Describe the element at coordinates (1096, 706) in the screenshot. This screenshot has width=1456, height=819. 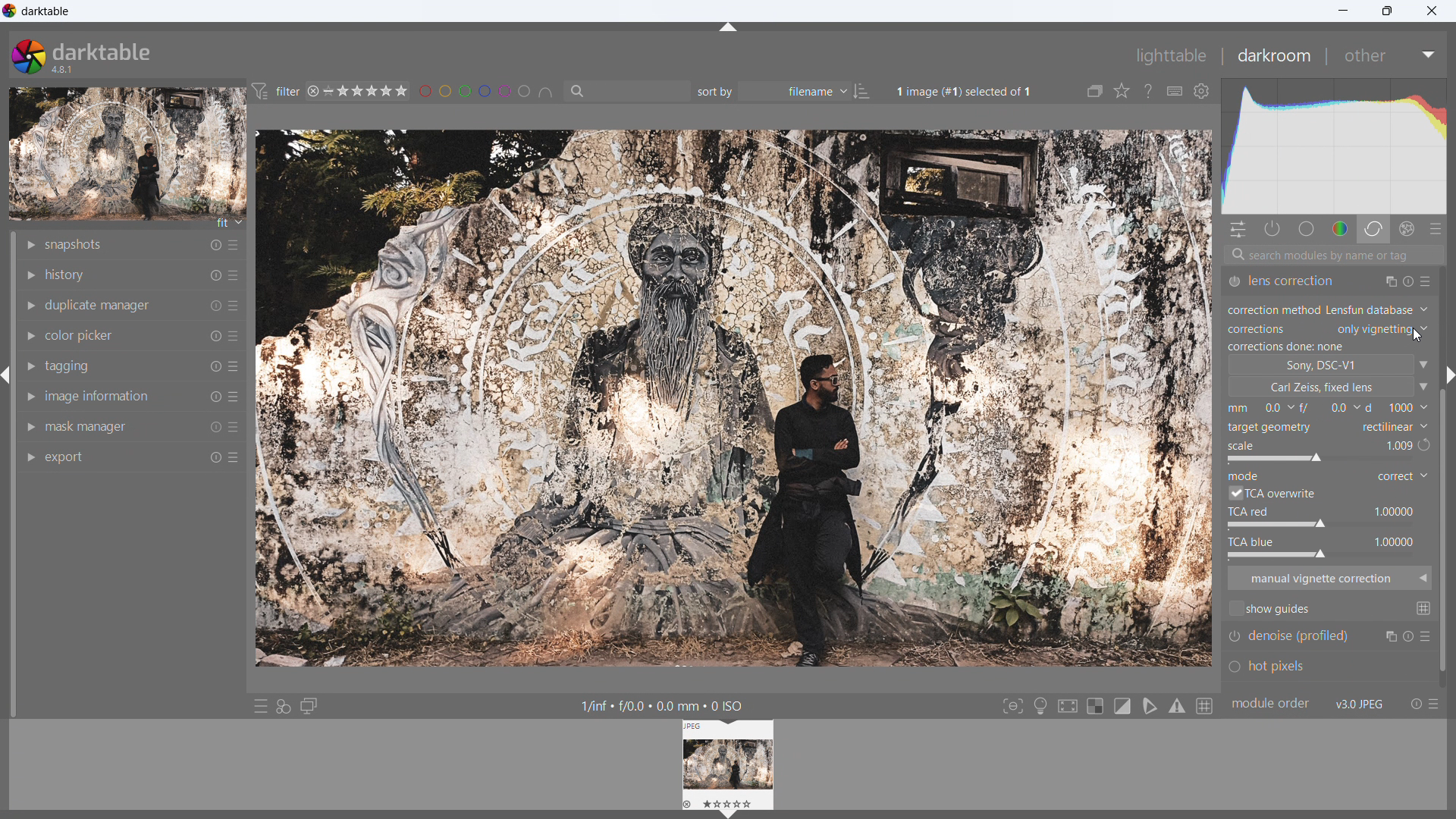
I see `toggle indication for raw overexposure` at that location.